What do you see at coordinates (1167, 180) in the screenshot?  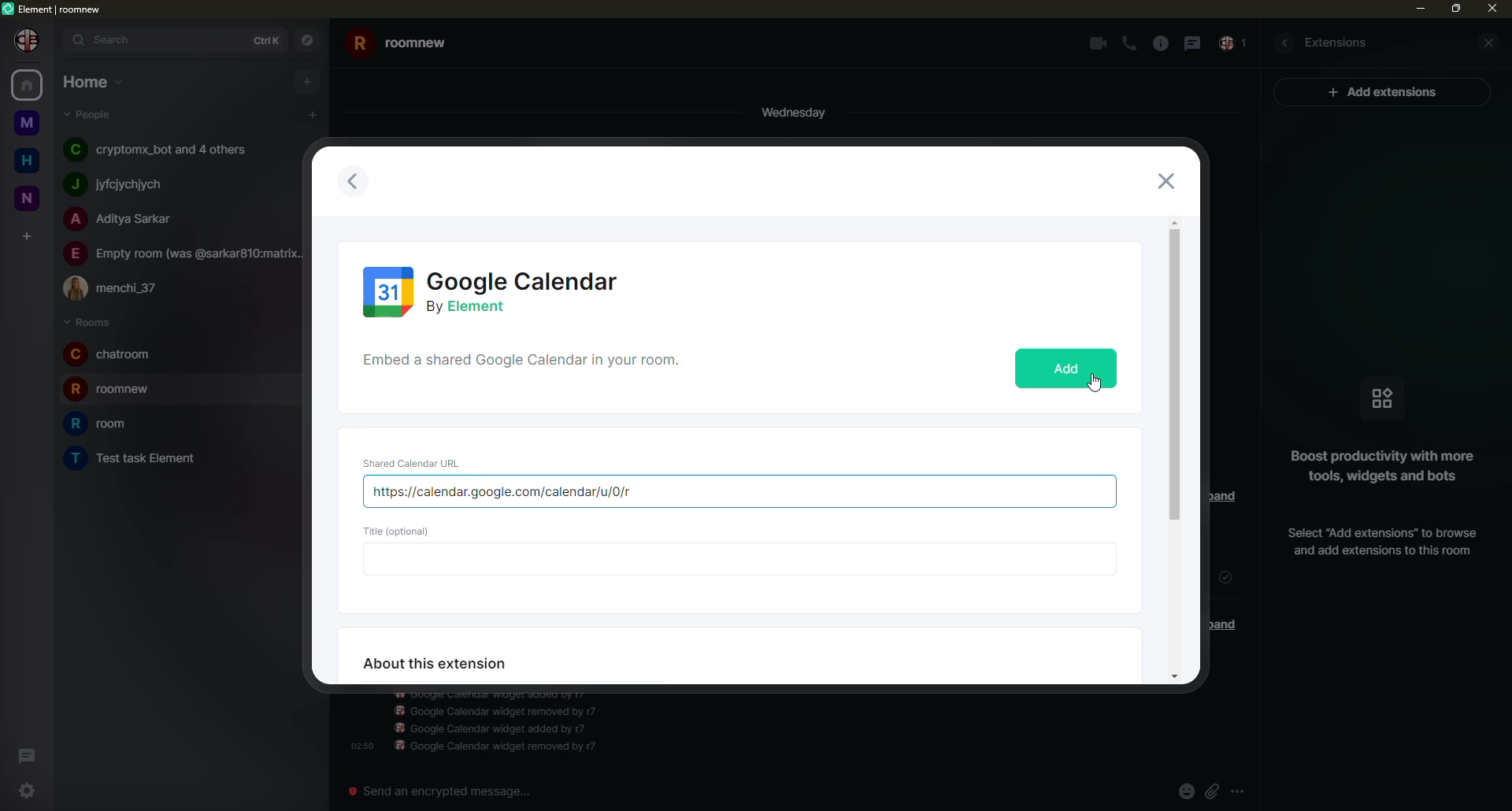 I see `close` at bounding box center [1167, 180].